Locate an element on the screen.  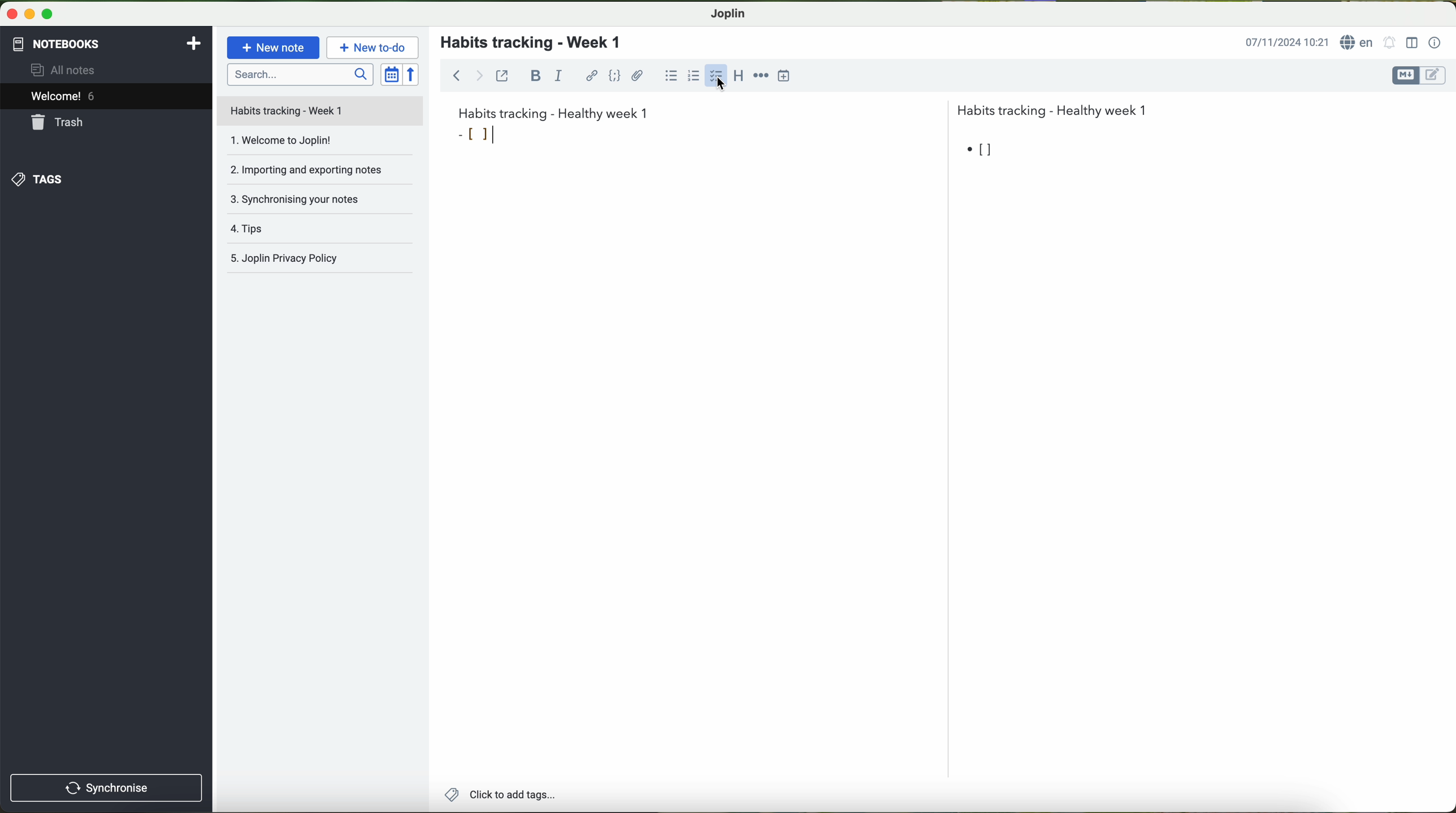
search bar is located at coordinates (299, 74).